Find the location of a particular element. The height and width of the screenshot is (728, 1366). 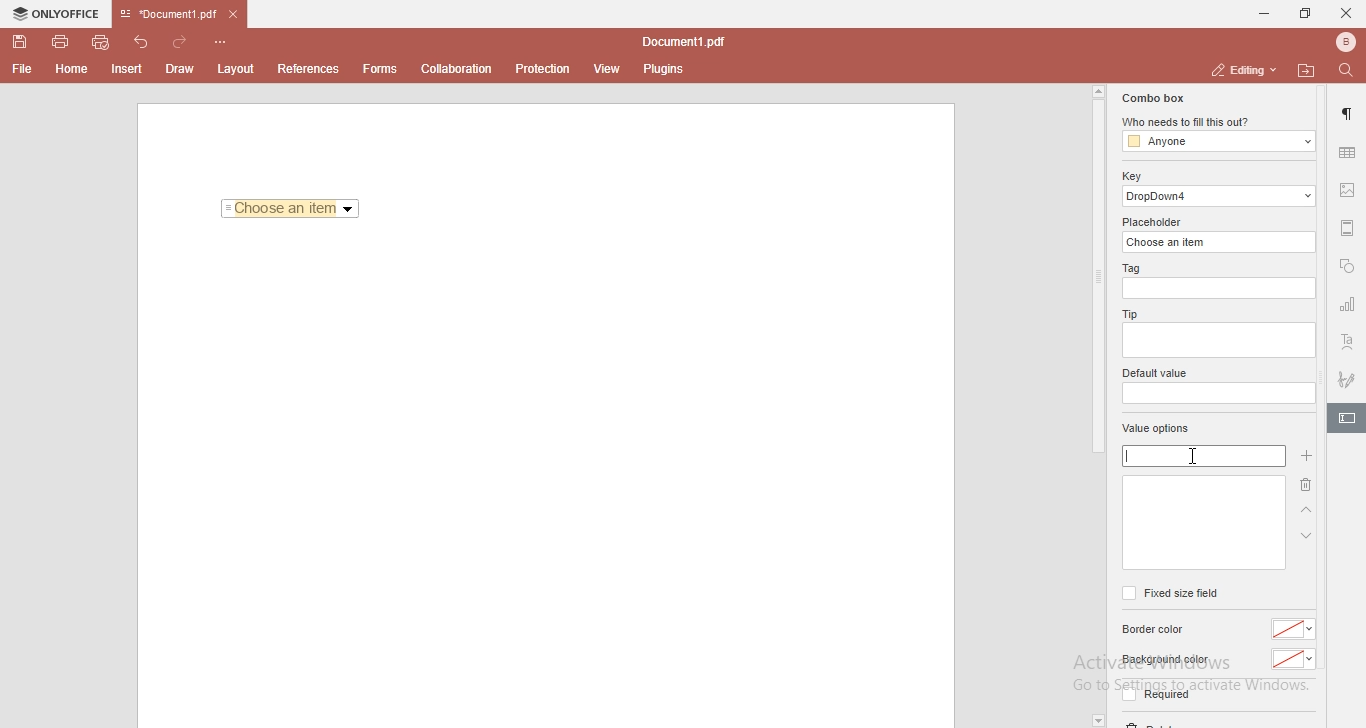

bluetooth is located at coordinates (1340, 42).